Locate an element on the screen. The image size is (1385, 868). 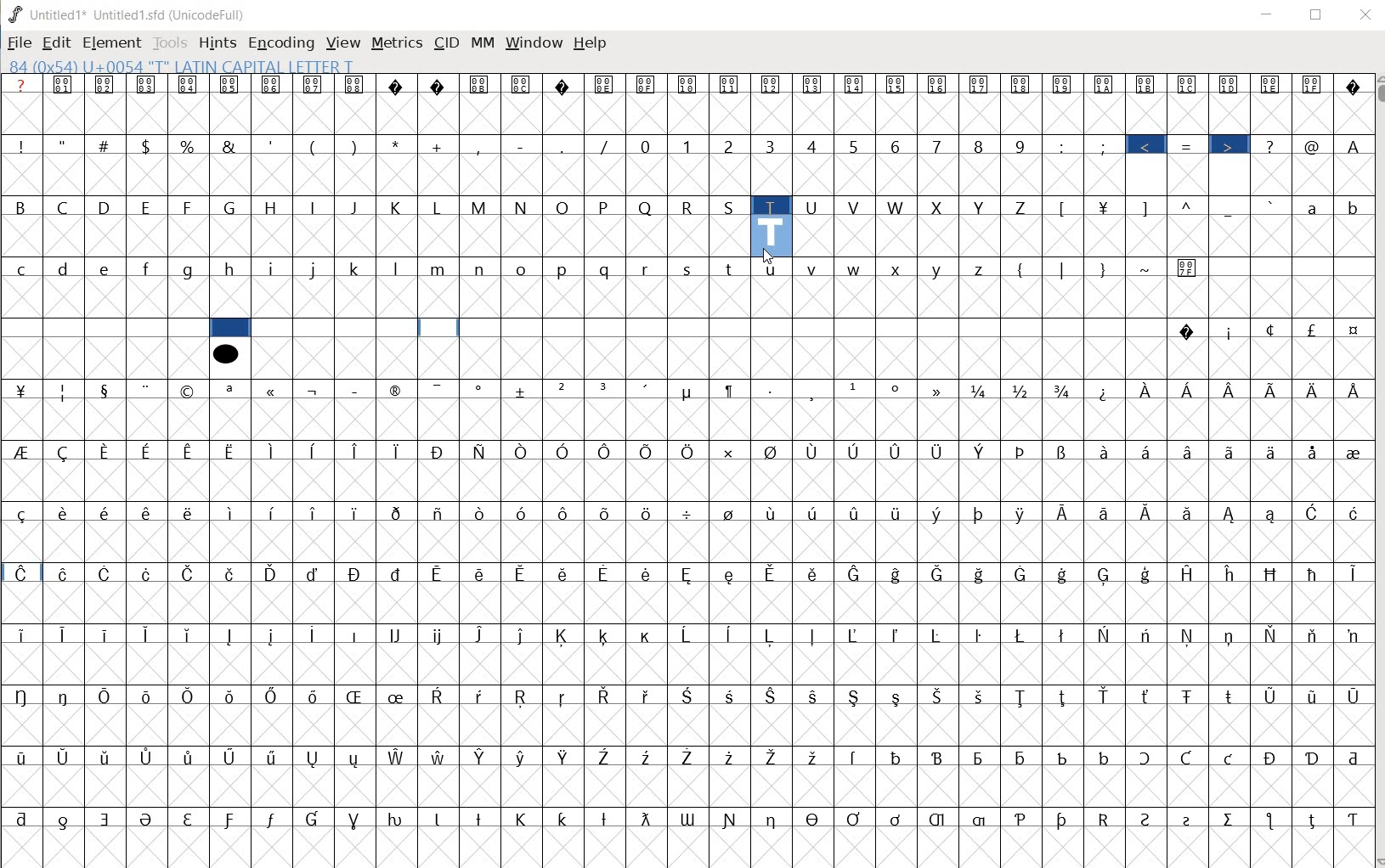
Symbol is located at coordinates (274, 573).